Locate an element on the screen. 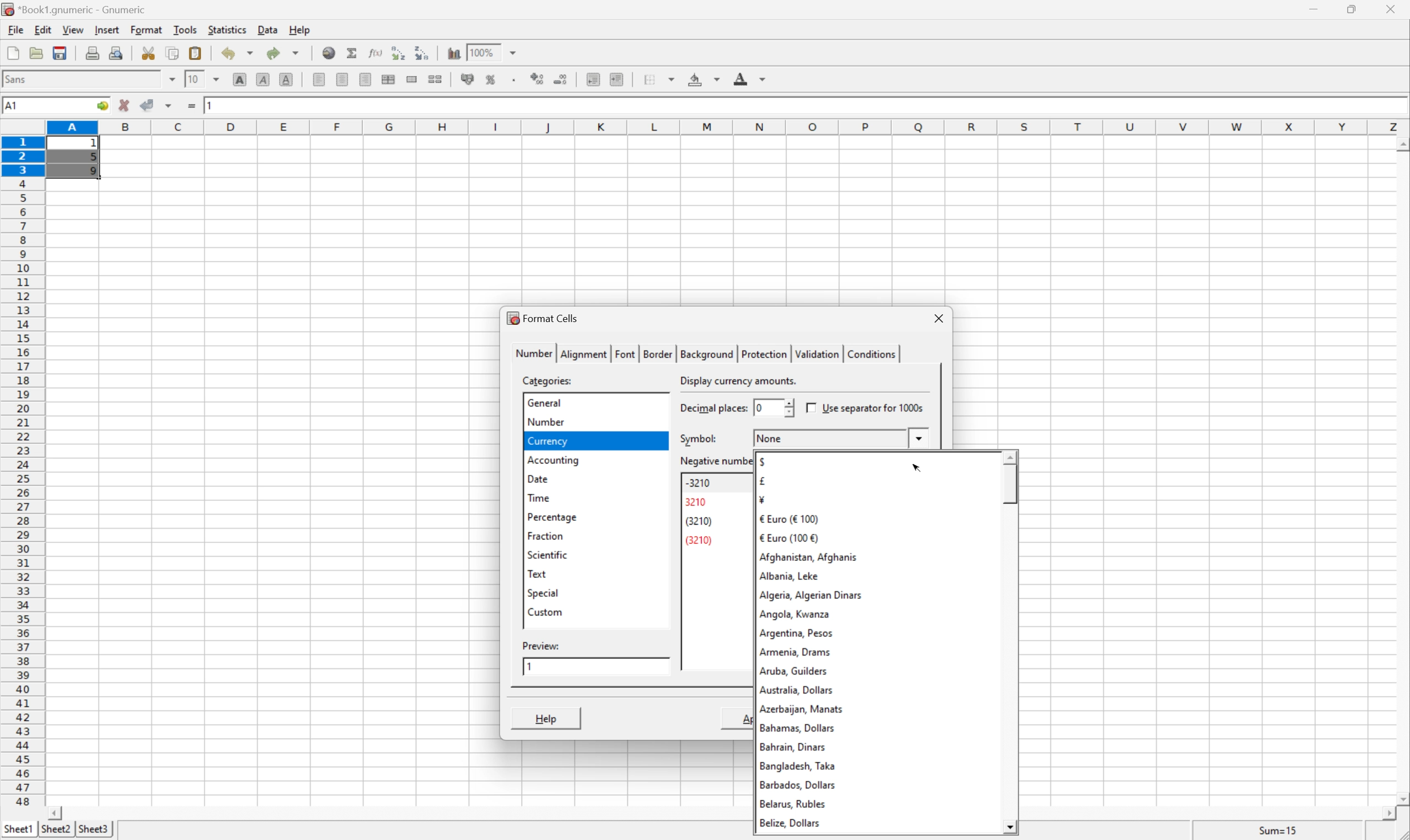  sheet2 is located at coordinates (55, 832).